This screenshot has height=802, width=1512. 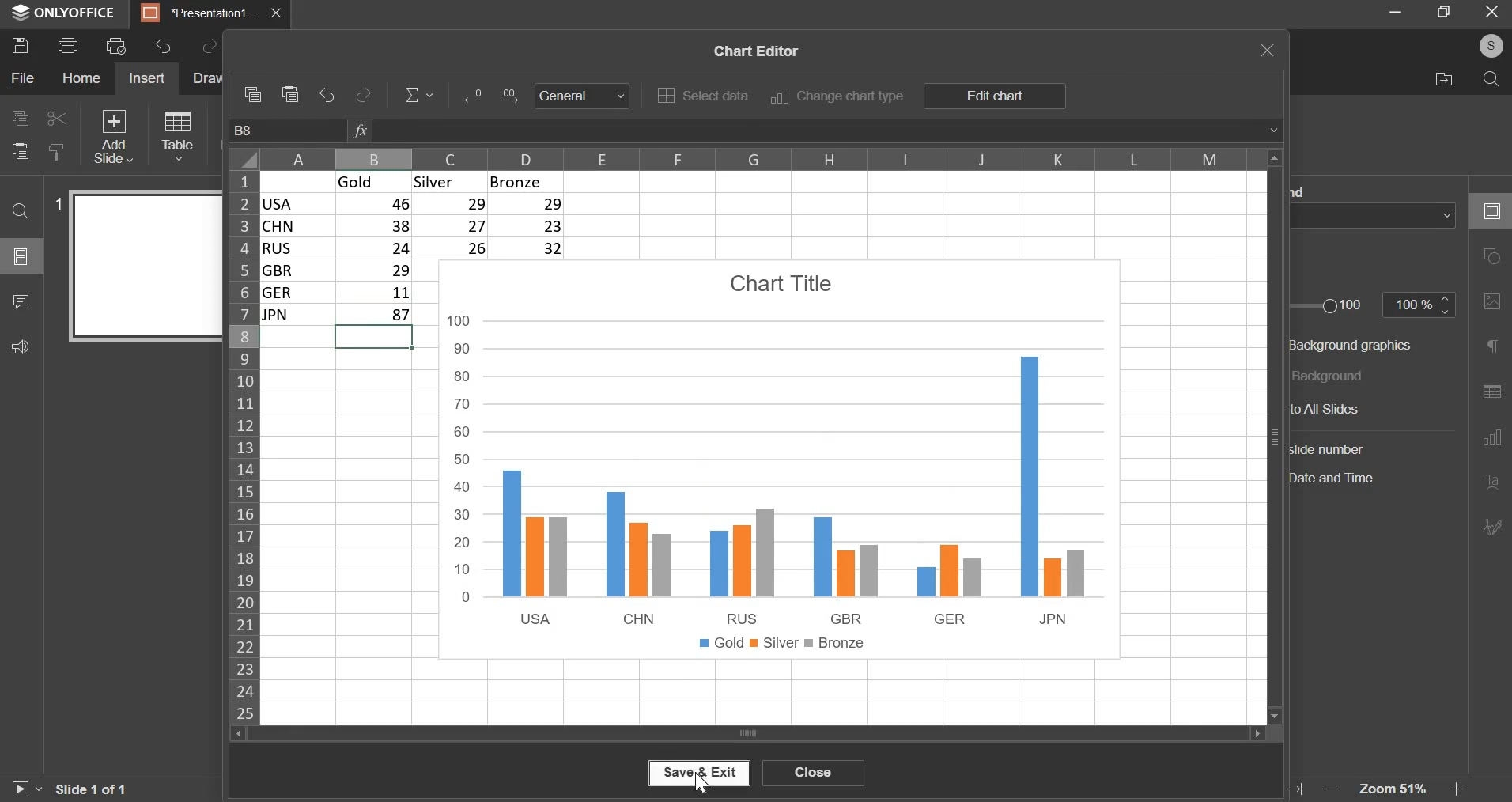 I want to click on background fill color, so click(x=1378, y=215).